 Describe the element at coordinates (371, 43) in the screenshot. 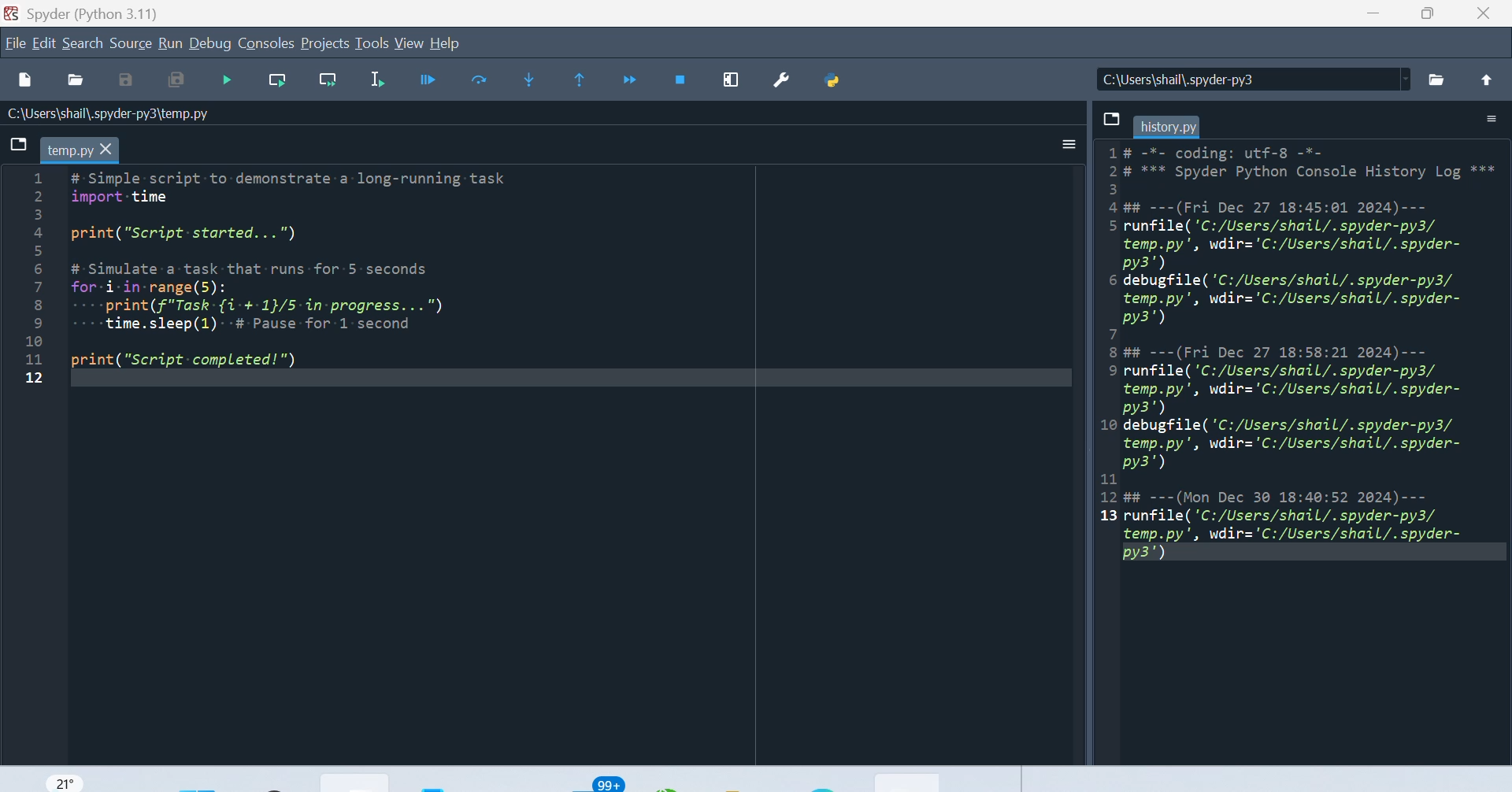

I see `Tools` at that location.